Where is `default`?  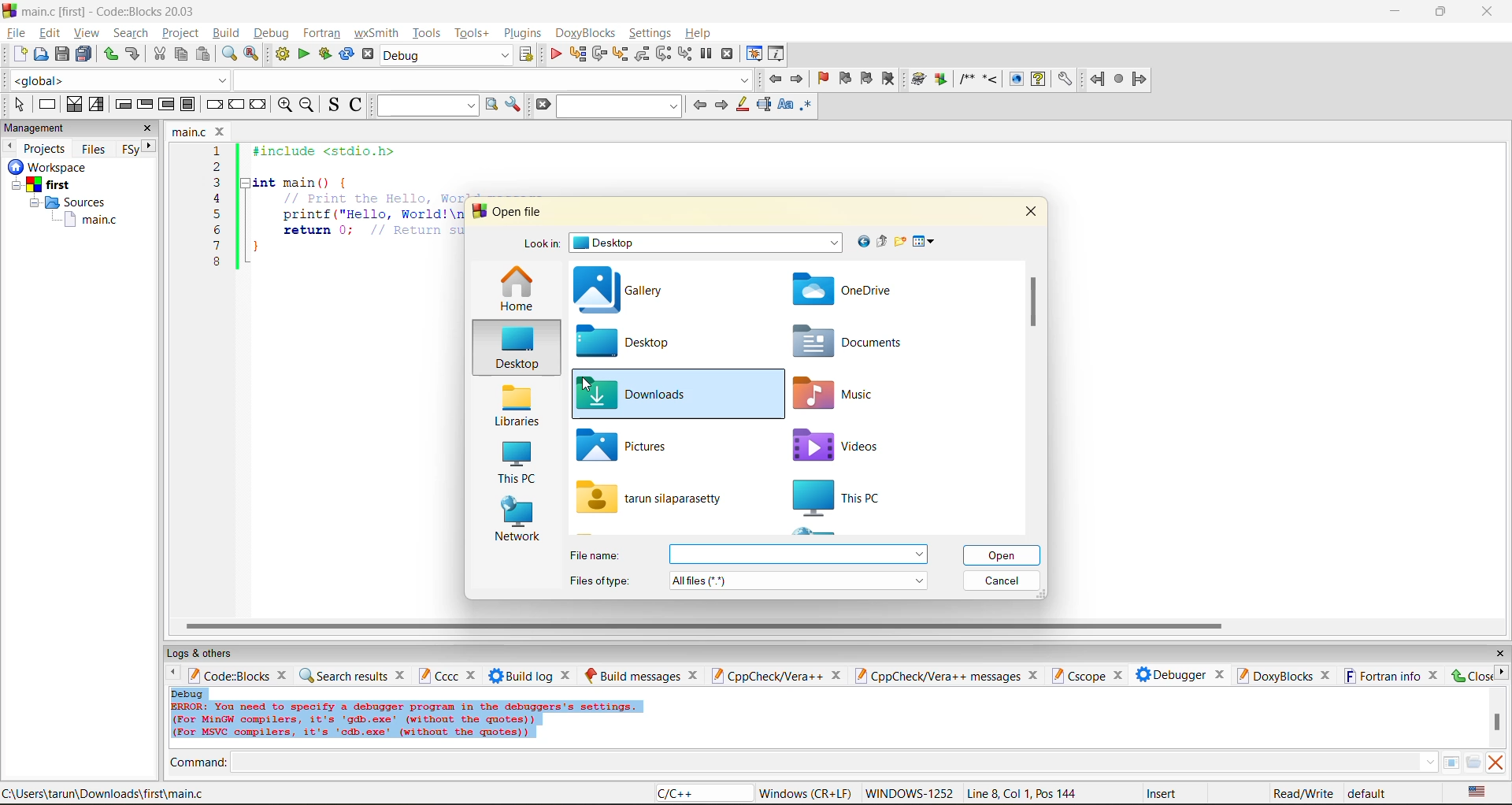
default is located at coordinates (1369, 792).